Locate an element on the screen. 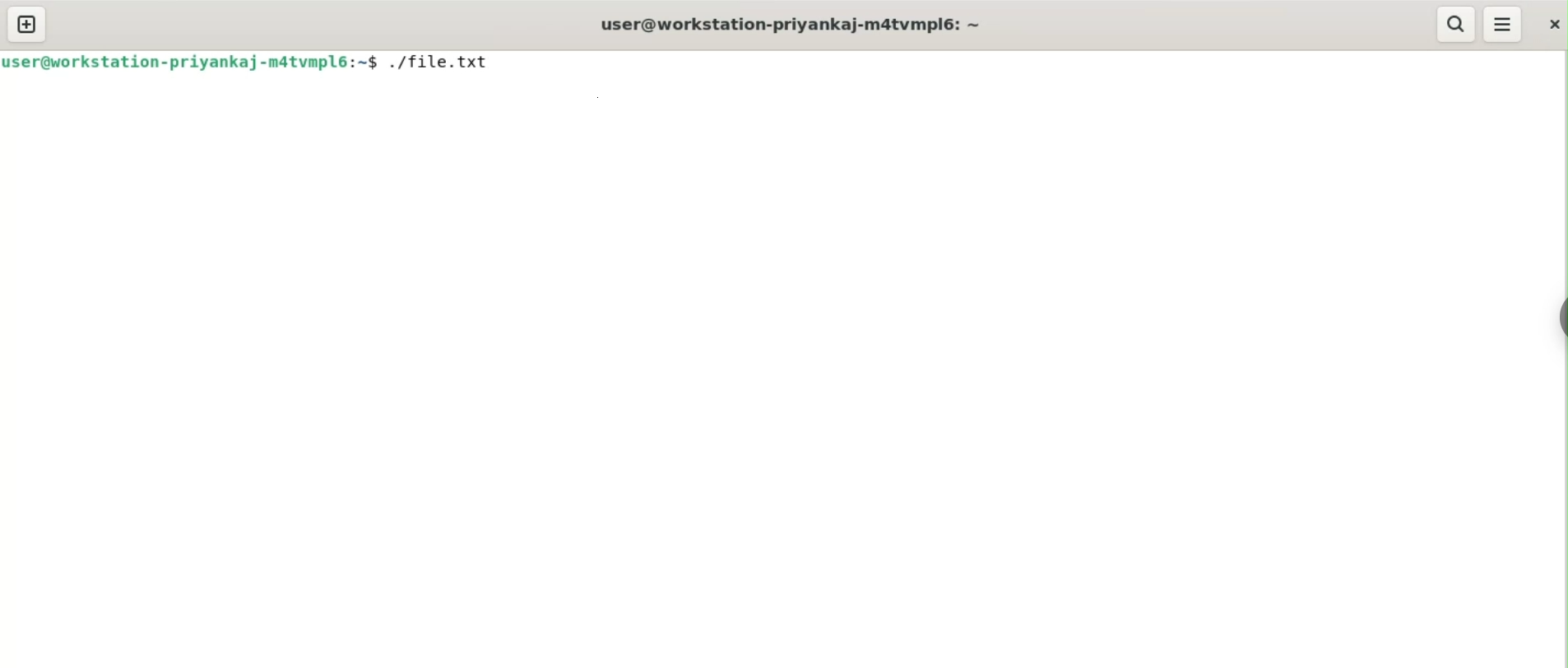 This screenshot has width=1568, height=668. user@workstation-priyankaj-m4tvmpl6: ~ is located at coordinates (790, 23).